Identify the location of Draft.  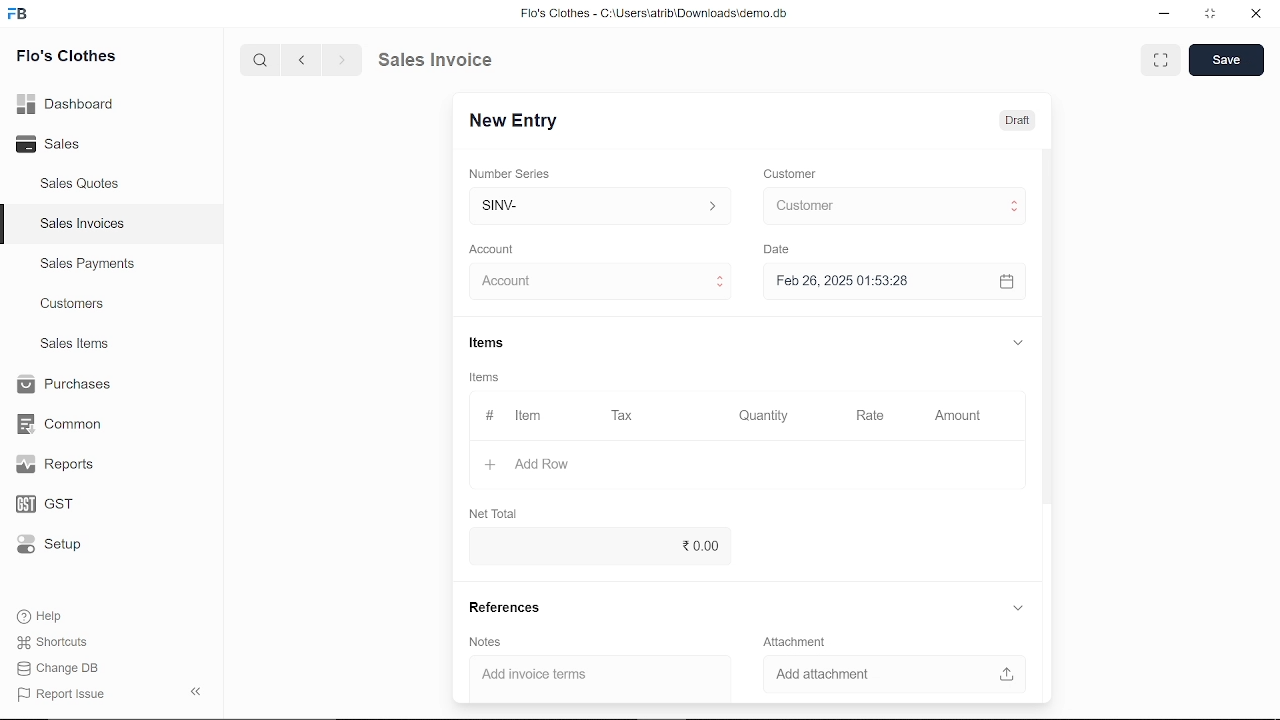
(1006, 119).